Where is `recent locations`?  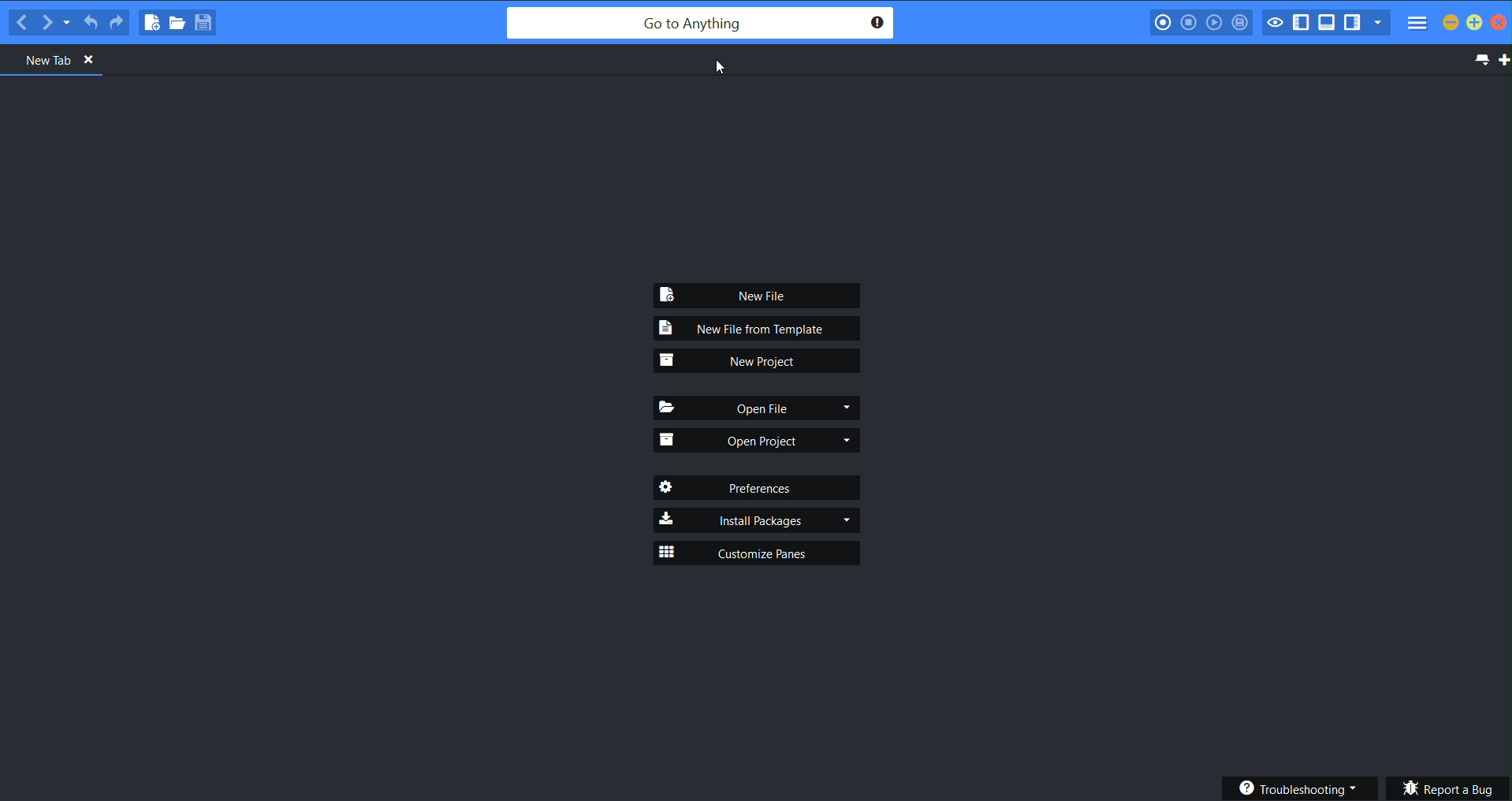
recent locations is located at coordinates (70, 22).